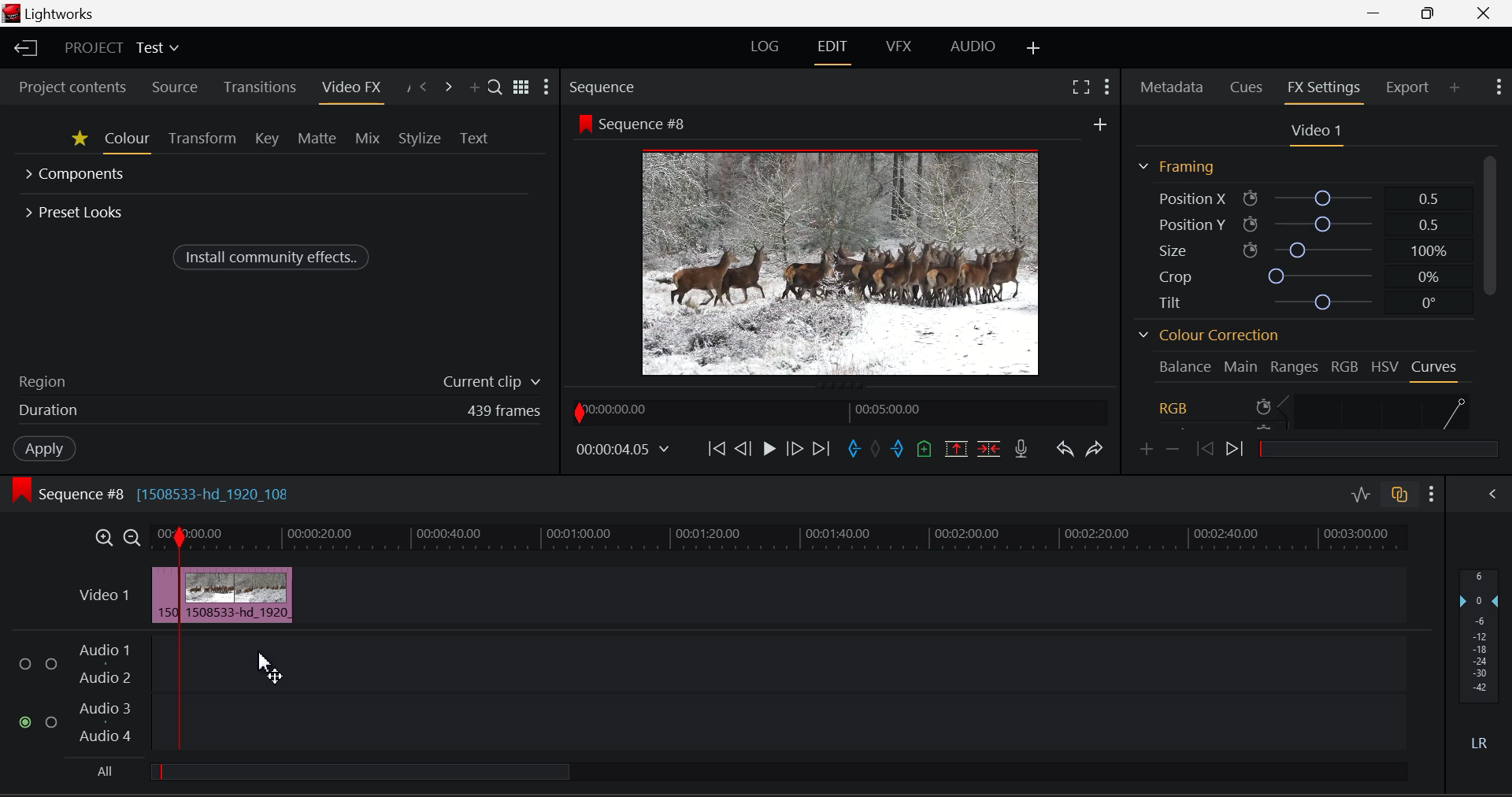 The width and height of the screenshot is (1512, 797). I want to click on LOG Layout, so click(765, 47).